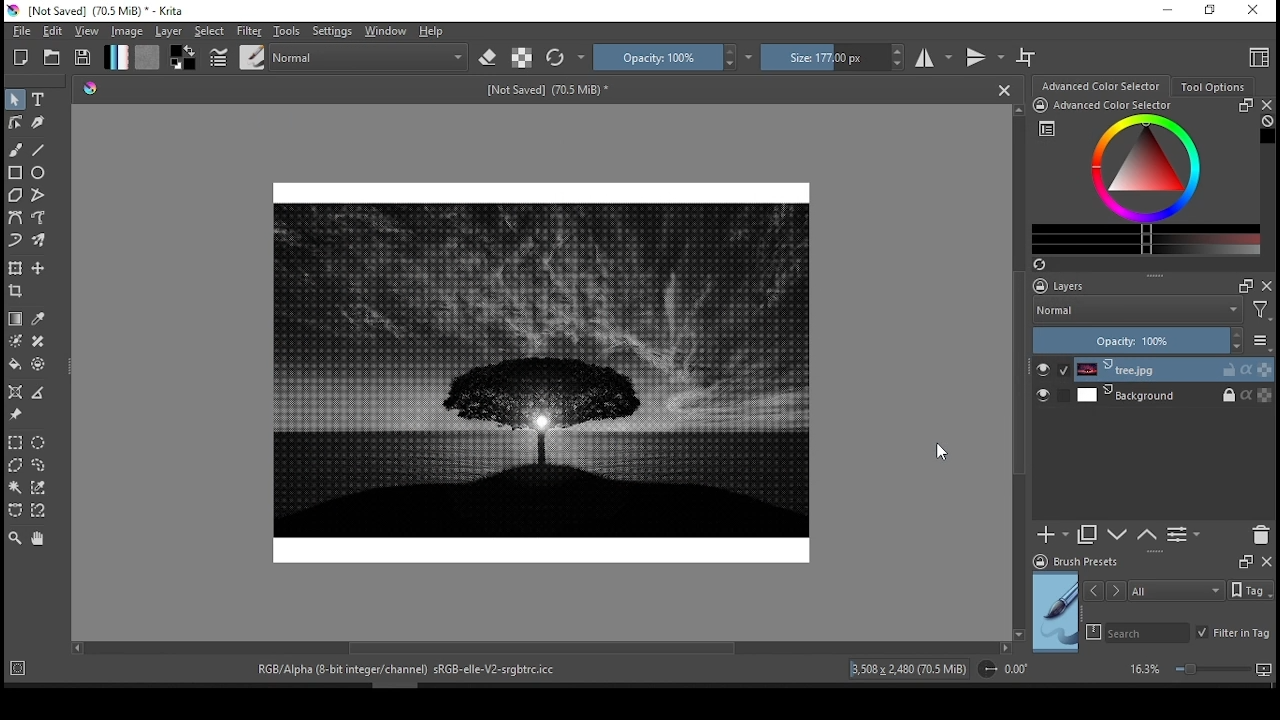 This screenshot has width=1280, height=720. What do you see at coordinates (1052, 368) in the screenshot?
I see `layer visibility on/off` at bounding box center [1052, 368].